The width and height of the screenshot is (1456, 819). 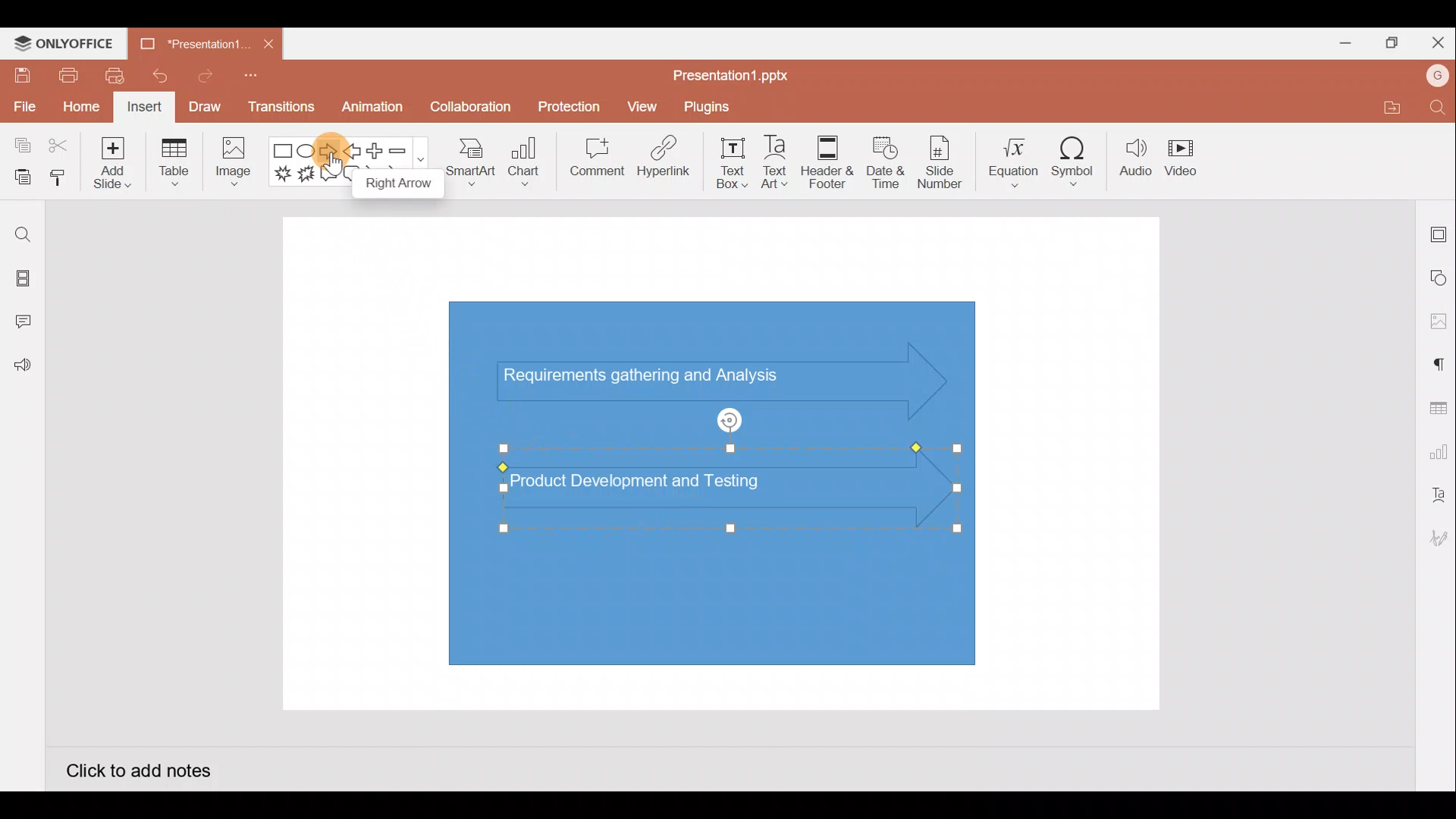 What do you see at coordinates (231, 165) in the screenshot?
I see `Image` at bounding box center [231, 165].